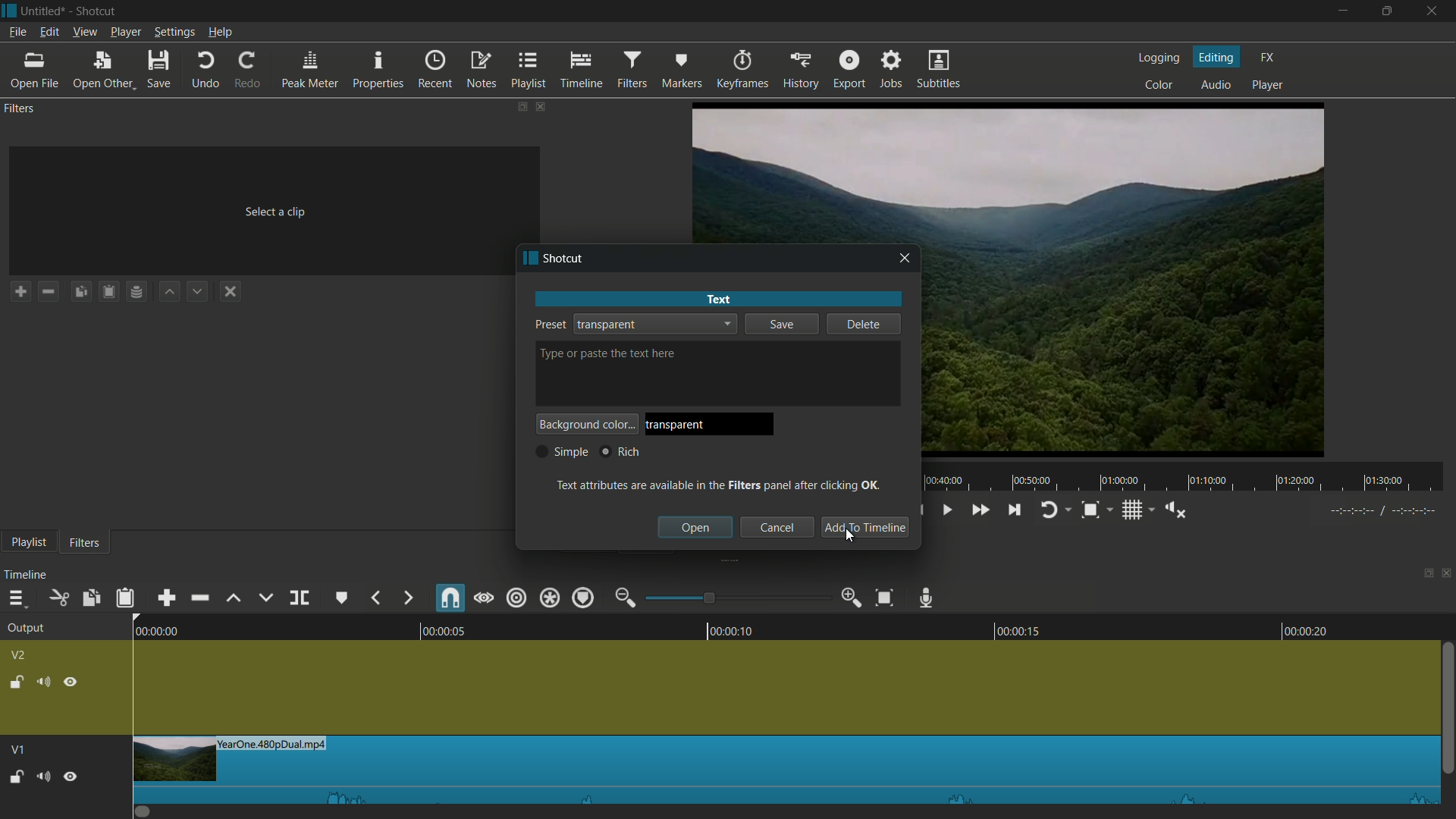  I want to click on simple, so click(562, 452).